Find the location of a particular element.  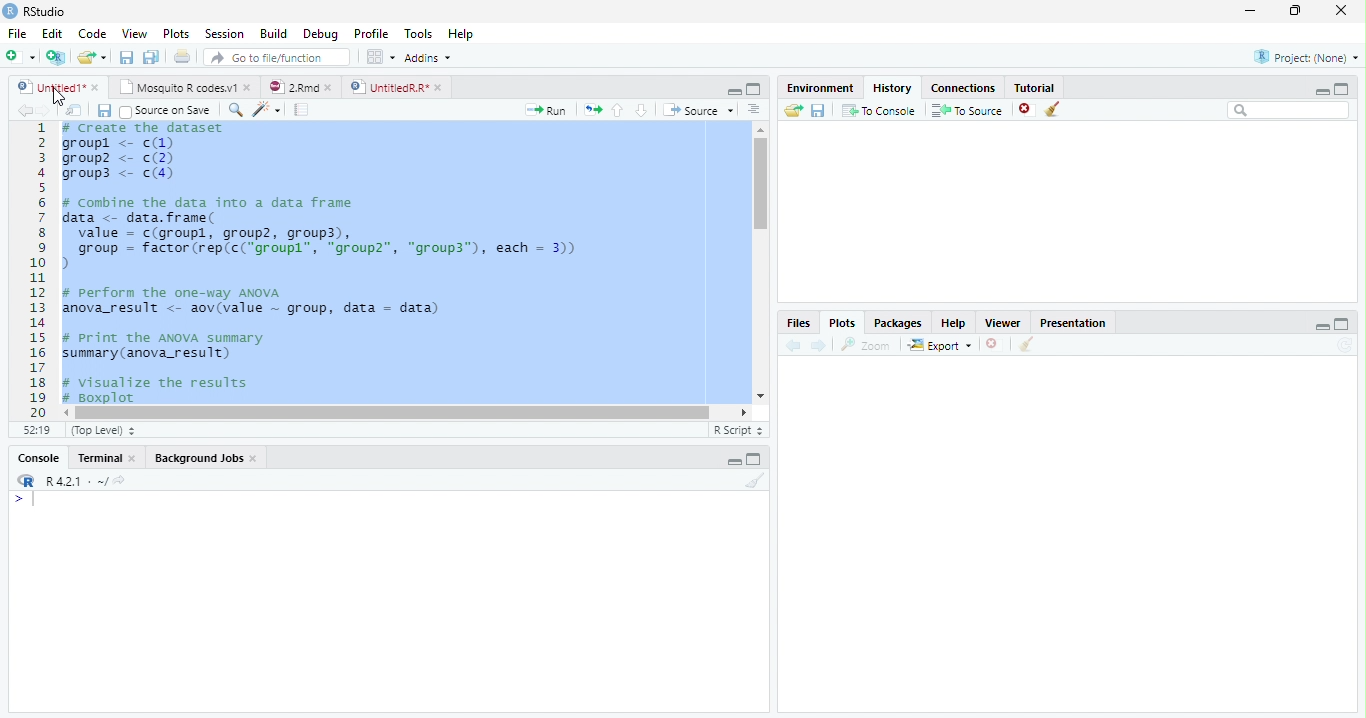

Save all is located at coordinates (108, 112).